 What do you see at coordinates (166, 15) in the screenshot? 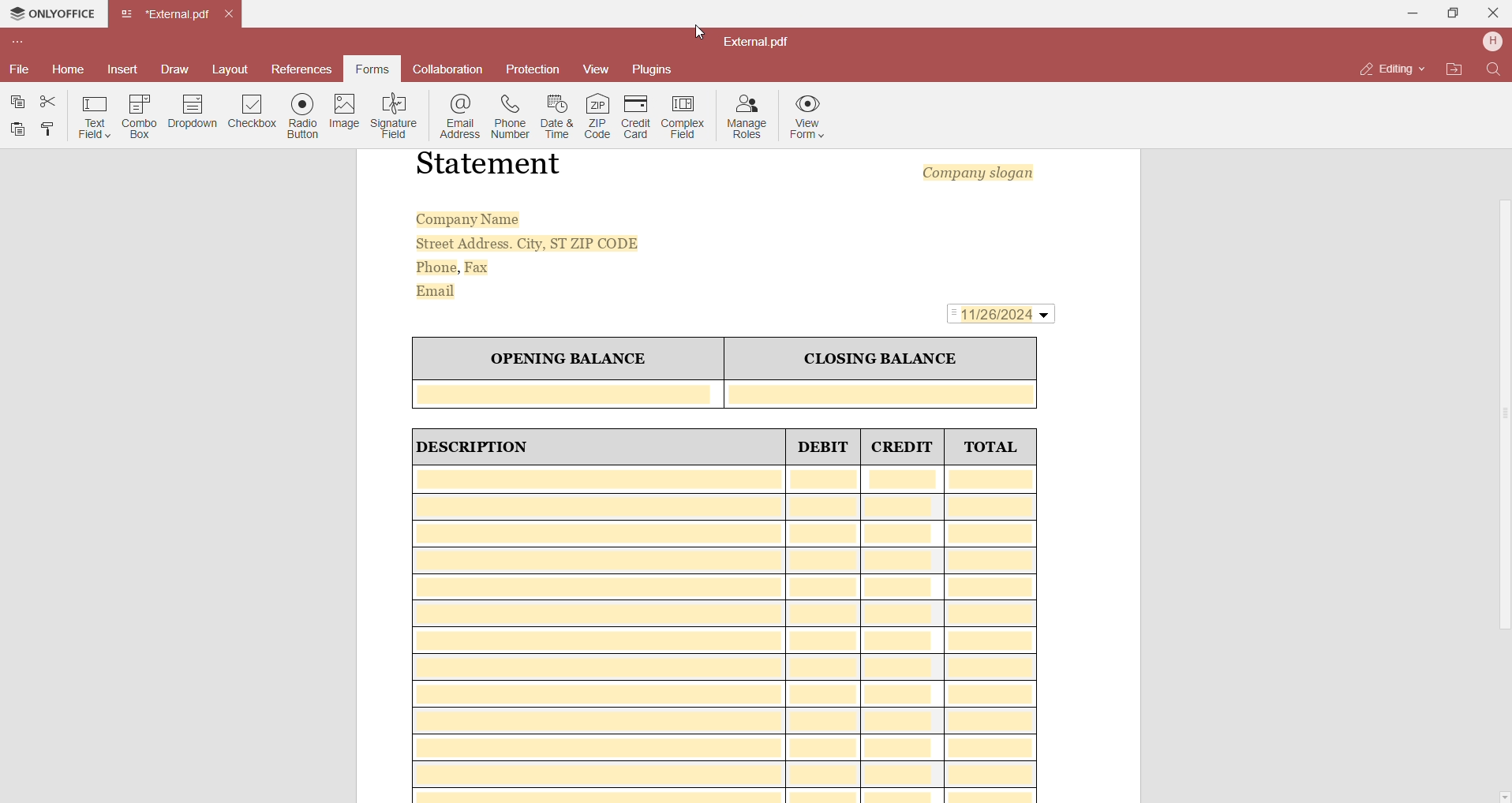
I see `Tab name(External.pdf)` at bounding box center [166, 15].